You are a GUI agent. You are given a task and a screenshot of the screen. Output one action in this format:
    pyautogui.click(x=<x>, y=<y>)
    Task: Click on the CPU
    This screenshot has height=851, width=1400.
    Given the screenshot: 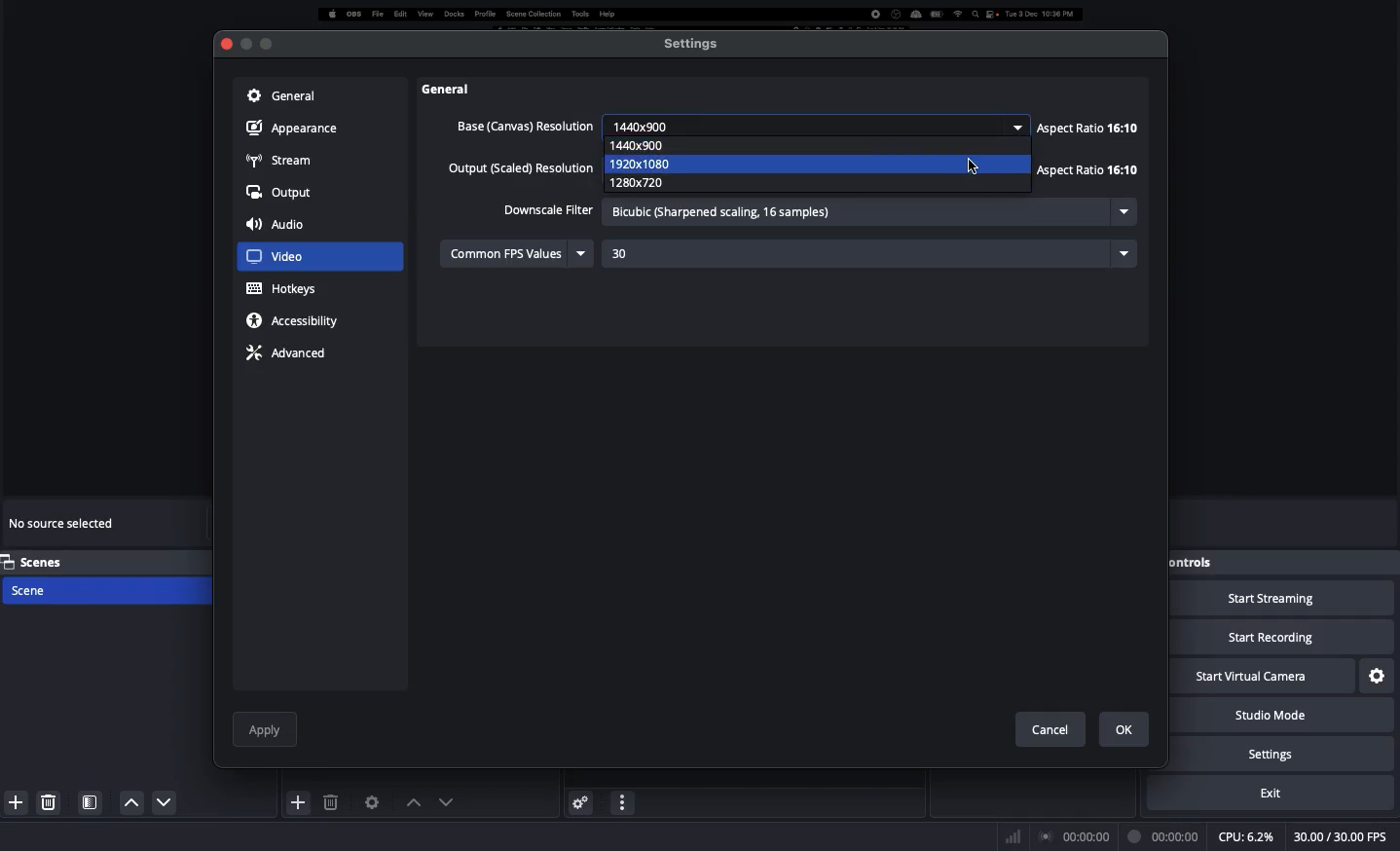 What is the action you would take?
    pyautogui.click(x=1245, y=837)
    